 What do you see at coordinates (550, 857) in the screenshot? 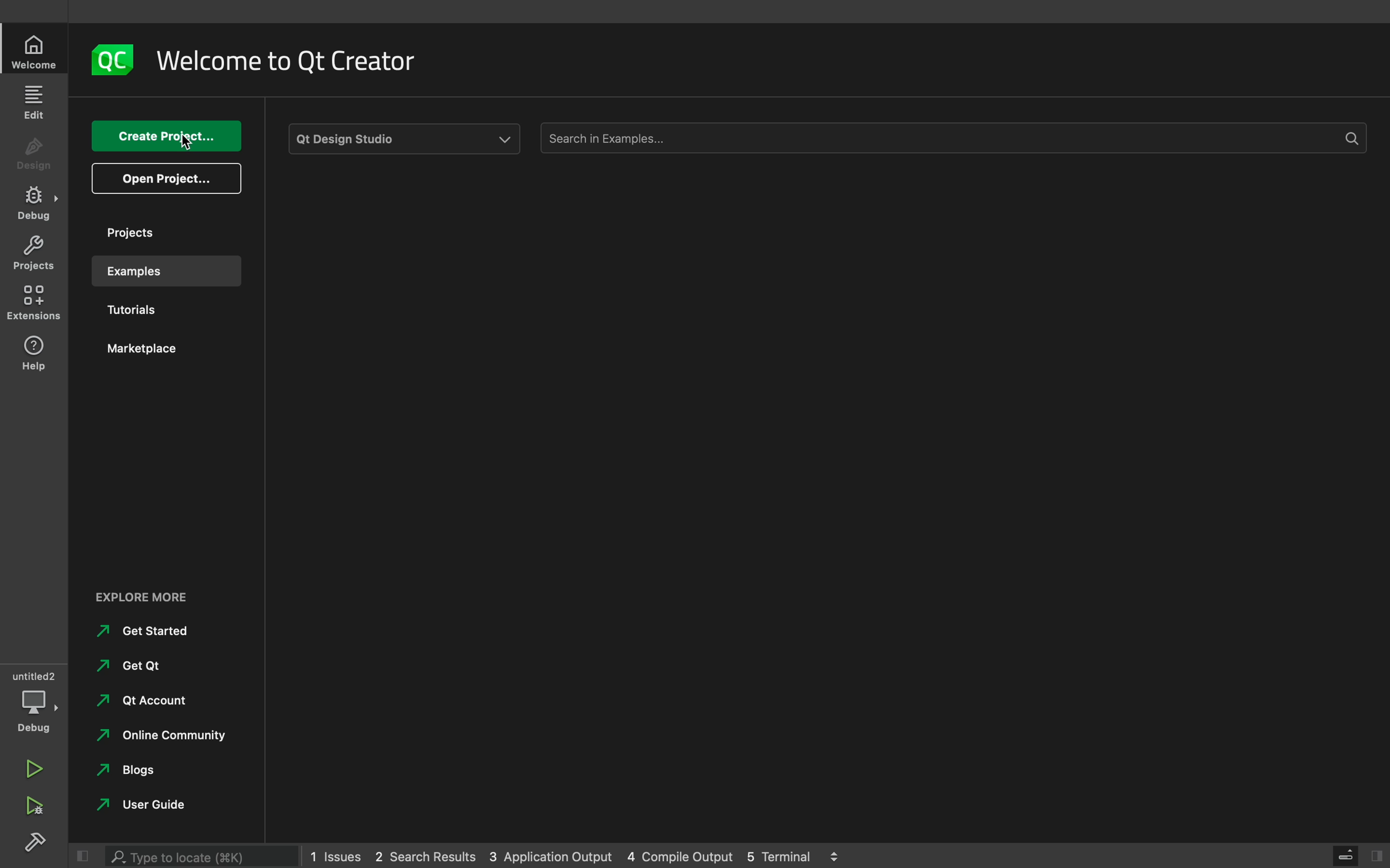
I see `3 application output` at bounding box center [550, 857].